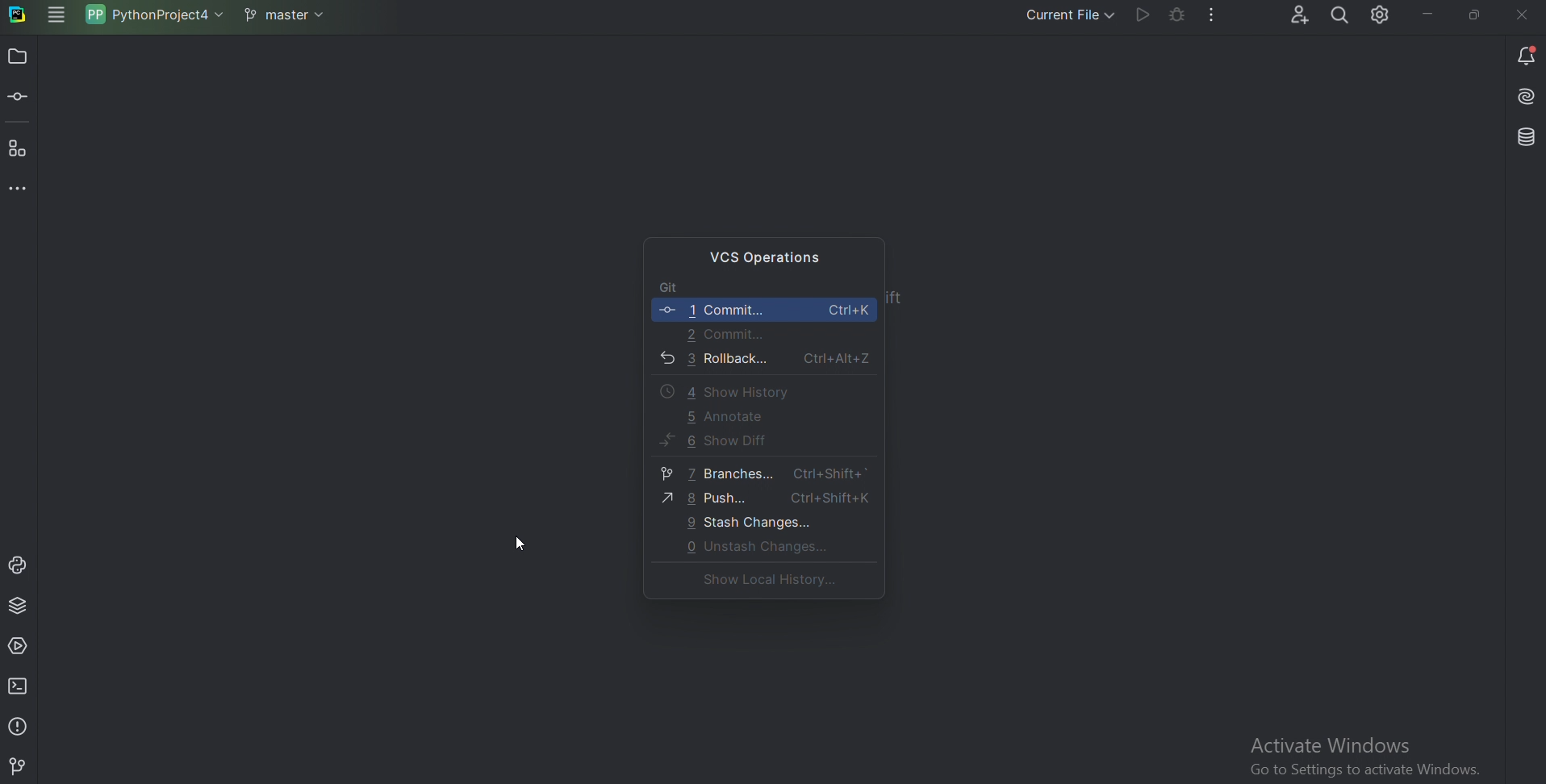  Describe the element at coordinates (1172, 16) in the screenshot. I see `Debug` at that location.